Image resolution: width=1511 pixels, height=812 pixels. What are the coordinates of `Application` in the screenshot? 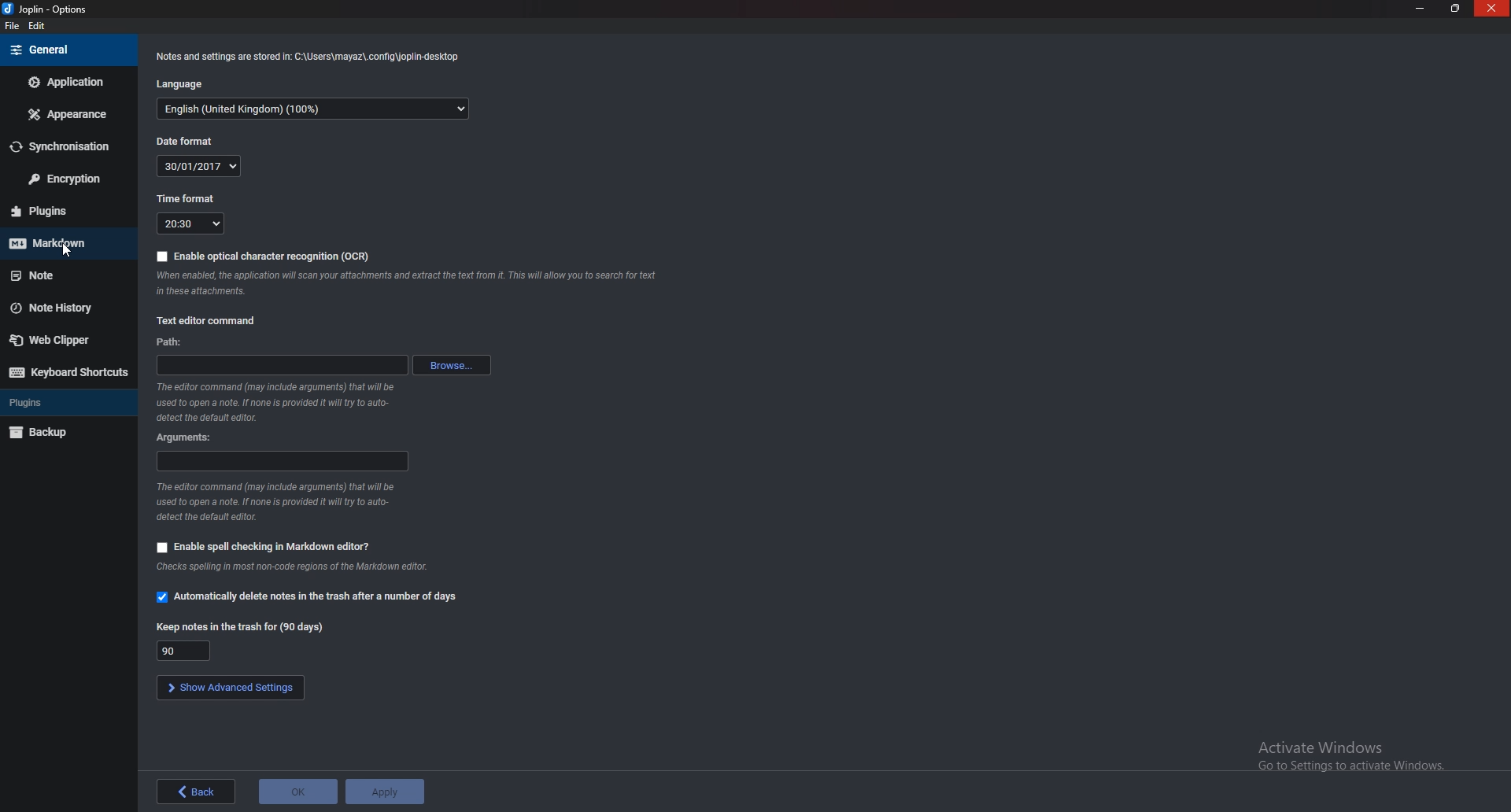 It's located at (69, 80).